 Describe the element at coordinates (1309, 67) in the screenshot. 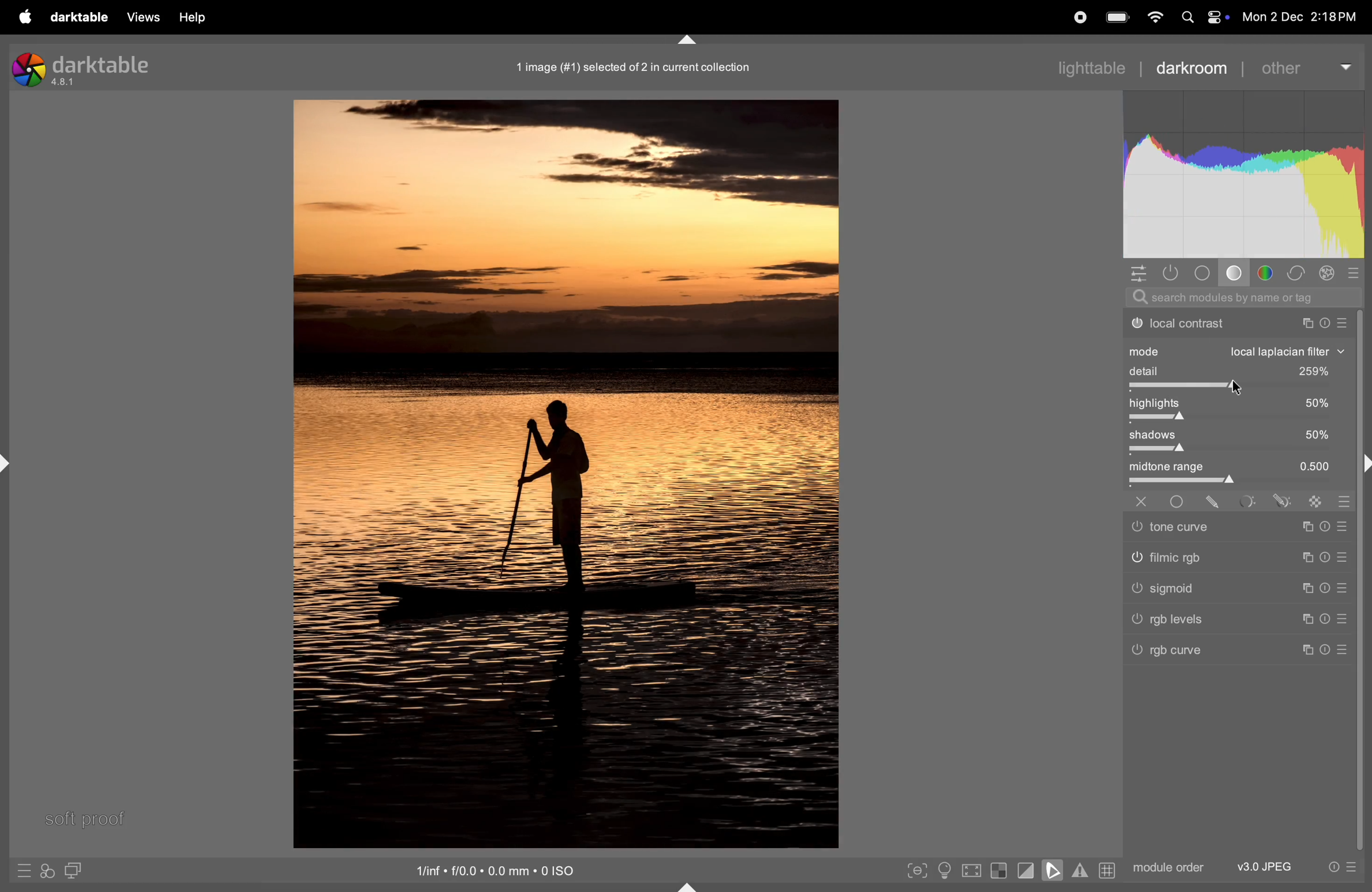

I see `other` at that location.